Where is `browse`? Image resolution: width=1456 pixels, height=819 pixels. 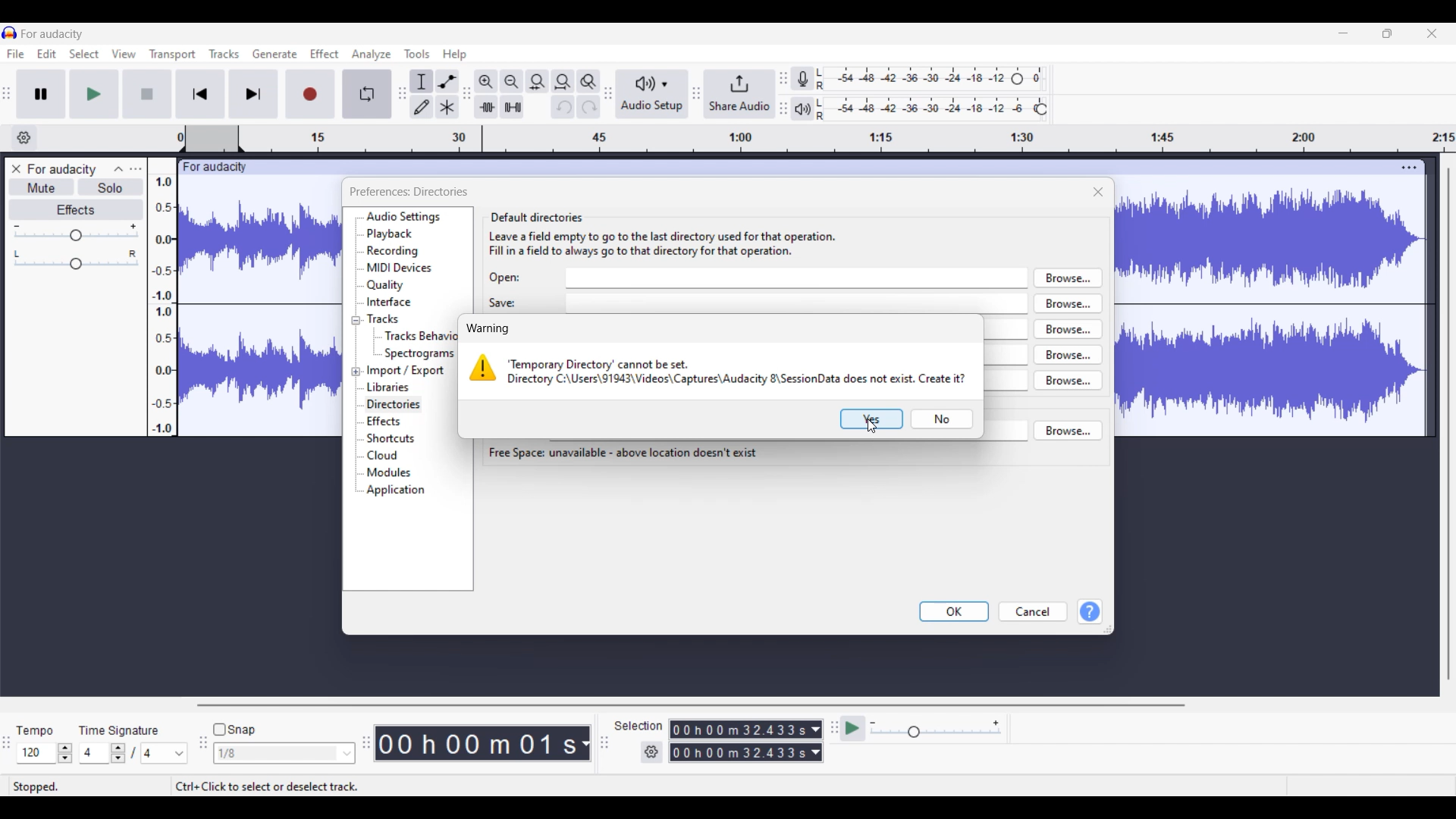
browse is located at coordinates (1068, 303).